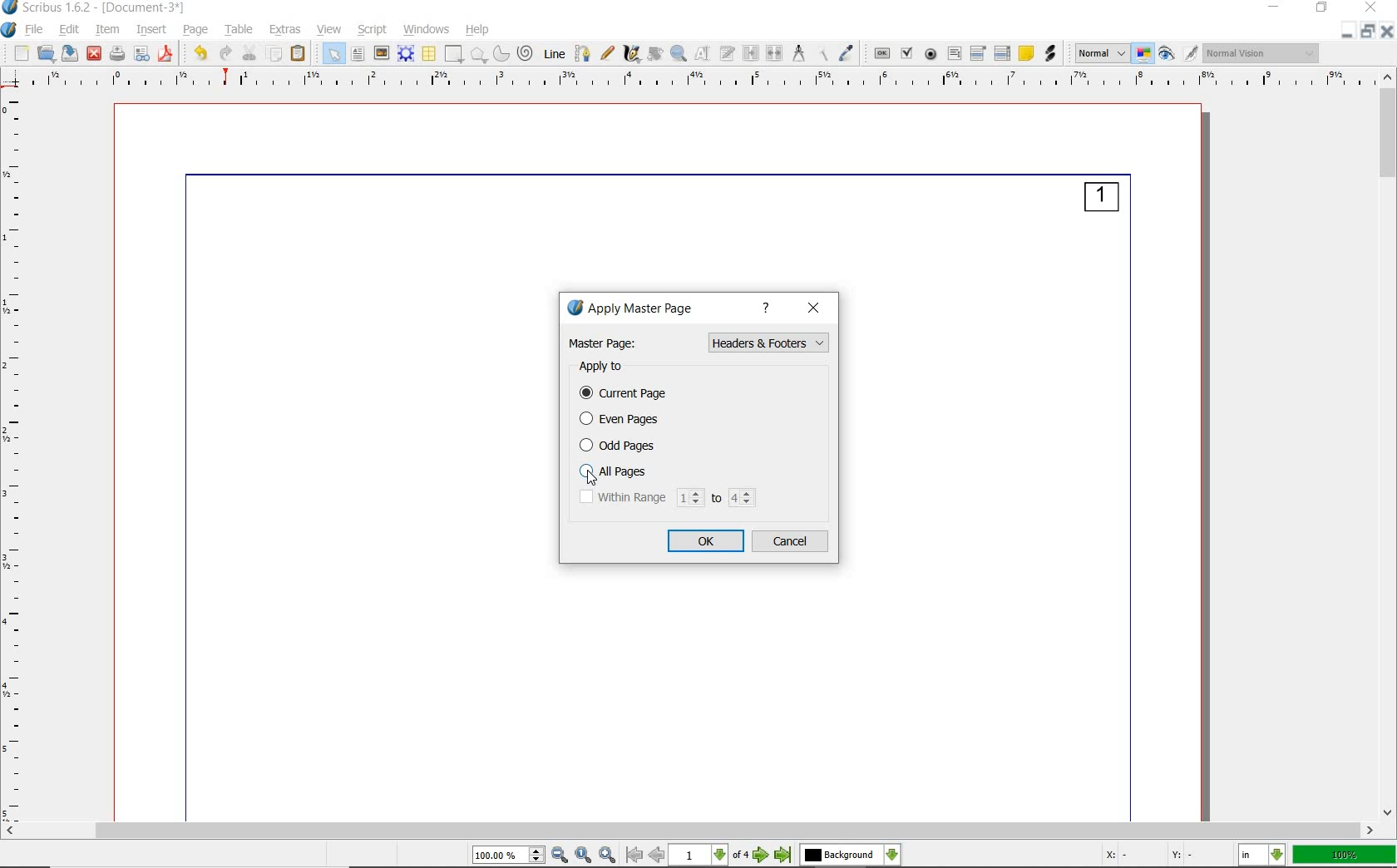  What do you see at coordinates (775, 53) in the screenshot?
I see `unlink text frames` at bounding box center [775, 53].